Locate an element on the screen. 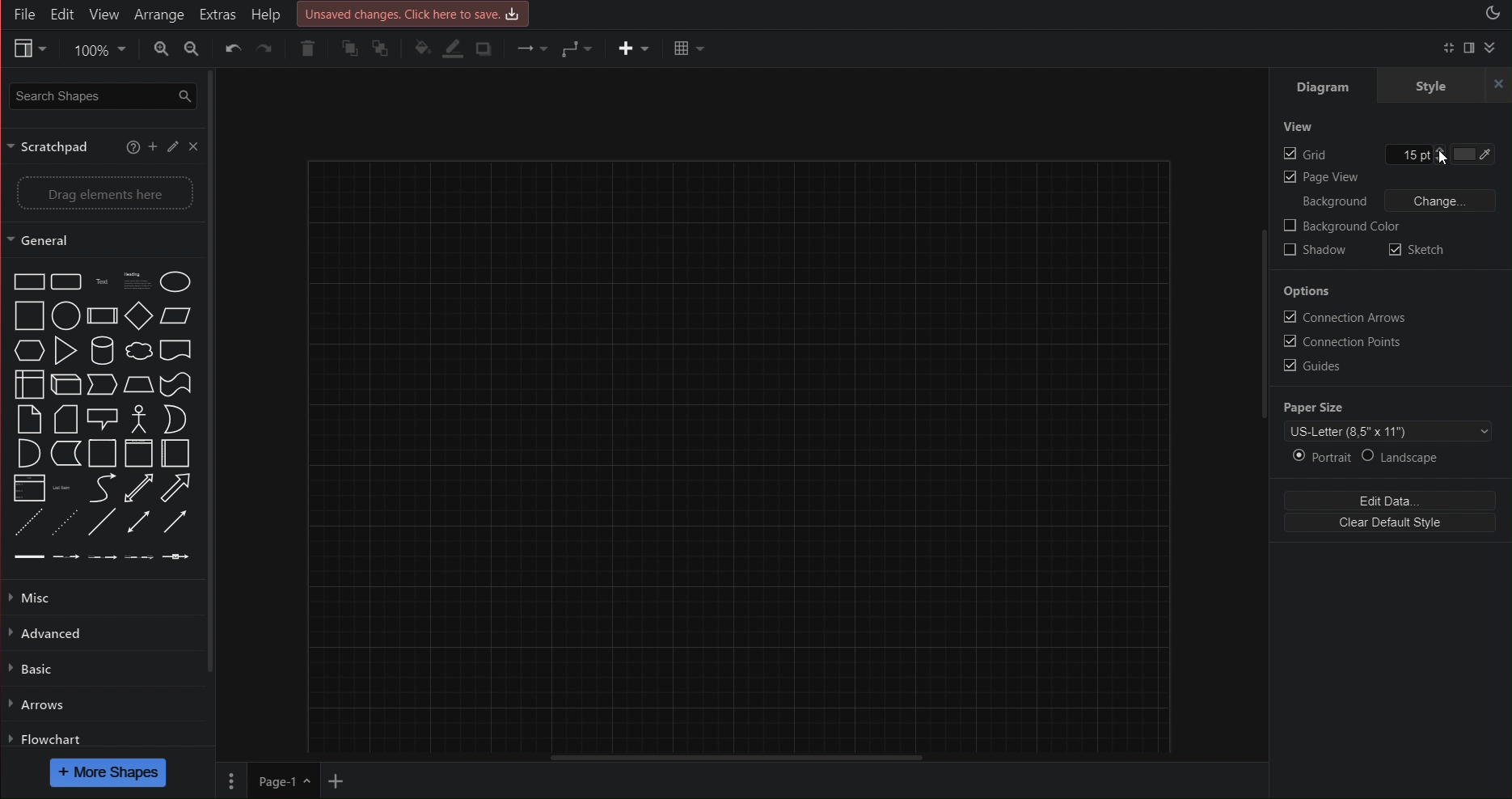 This screenshot has width=1512, height=799. Background is located at coordinates (1335, 202).